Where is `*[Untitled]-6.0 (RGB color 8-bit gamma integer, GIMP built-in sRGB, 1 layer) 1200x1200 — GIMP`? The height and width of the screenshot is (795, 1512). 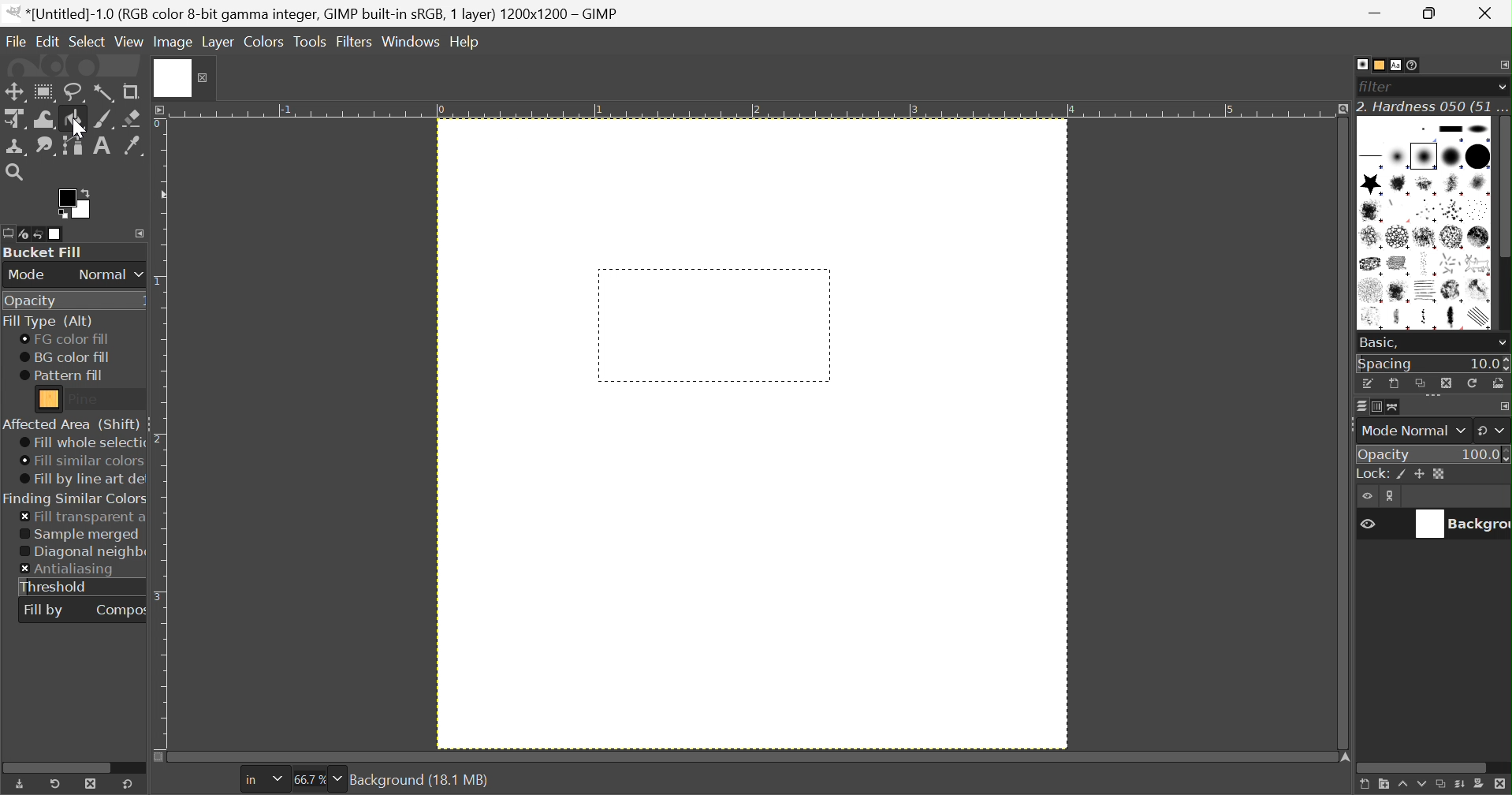
*[Untitled]-6.0 (RGB color 8-bit gamma integer, GIMP built-in sRGB, 1 layer) 1200x1200 — GIMP is located at coordinates (314, 13).